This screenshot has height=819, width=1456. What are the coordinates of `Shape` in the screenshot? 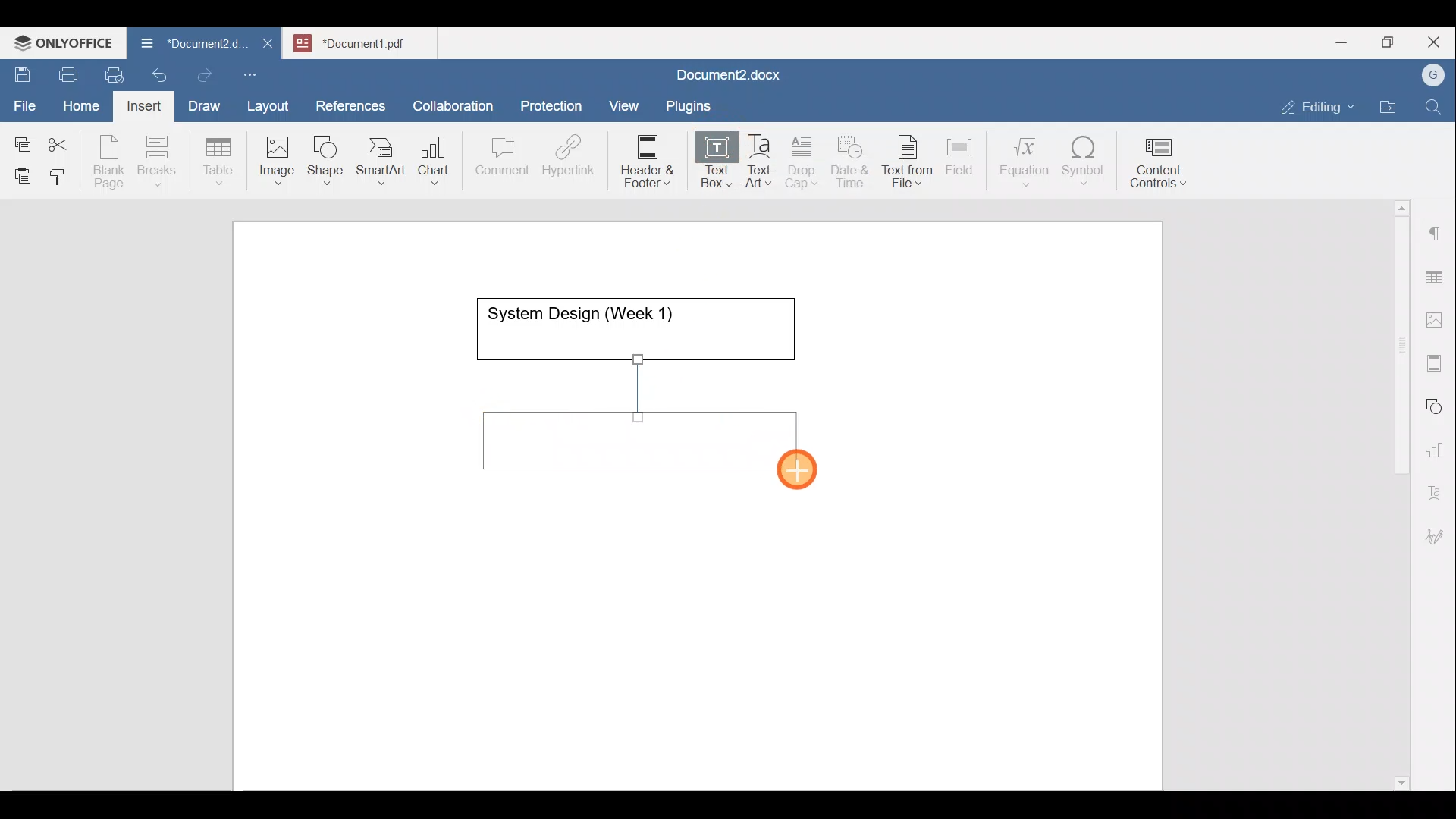 It's located at (327, 153).